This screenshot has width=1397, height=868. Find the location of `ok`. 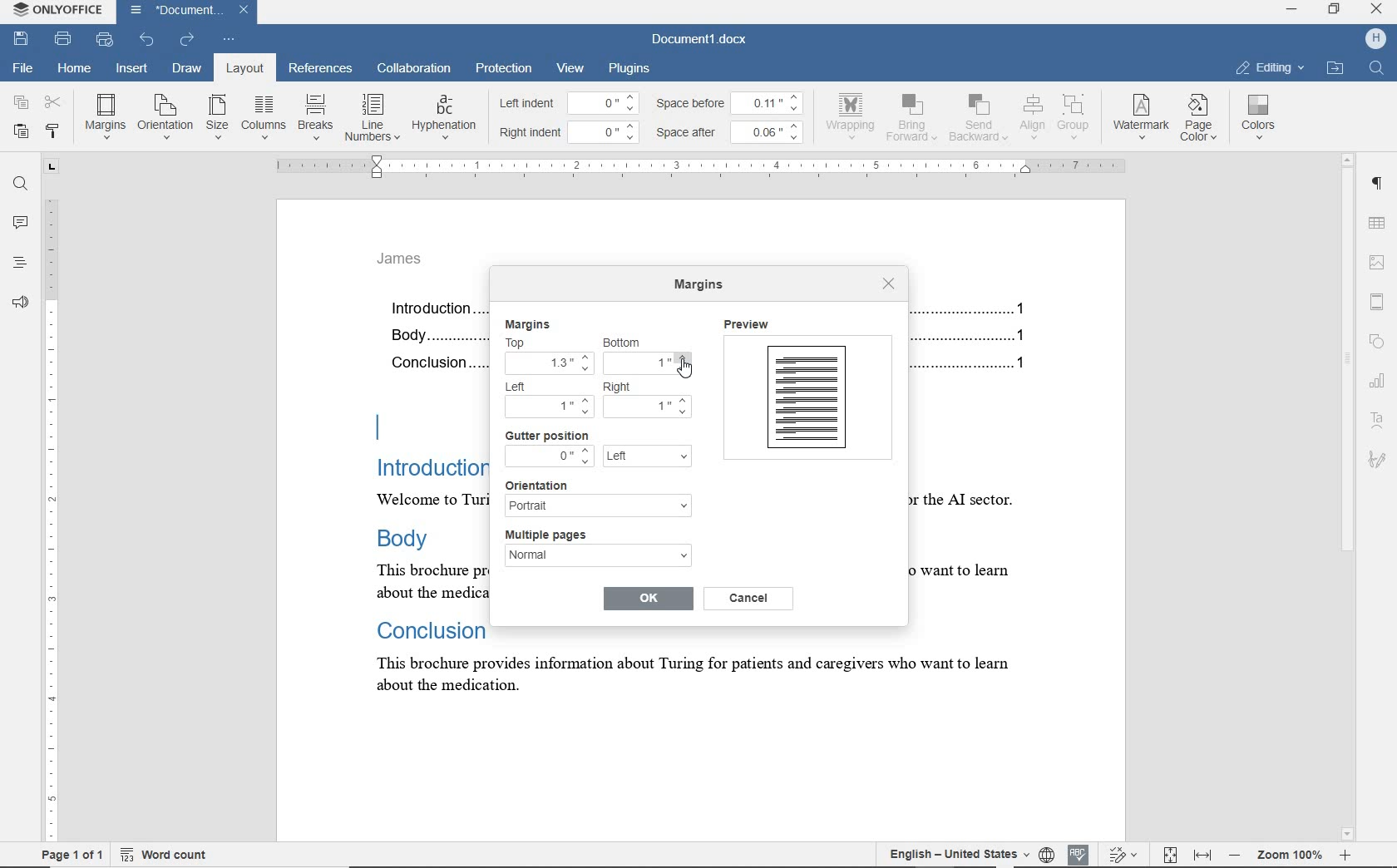

ok is located at coordinates (648, 597).